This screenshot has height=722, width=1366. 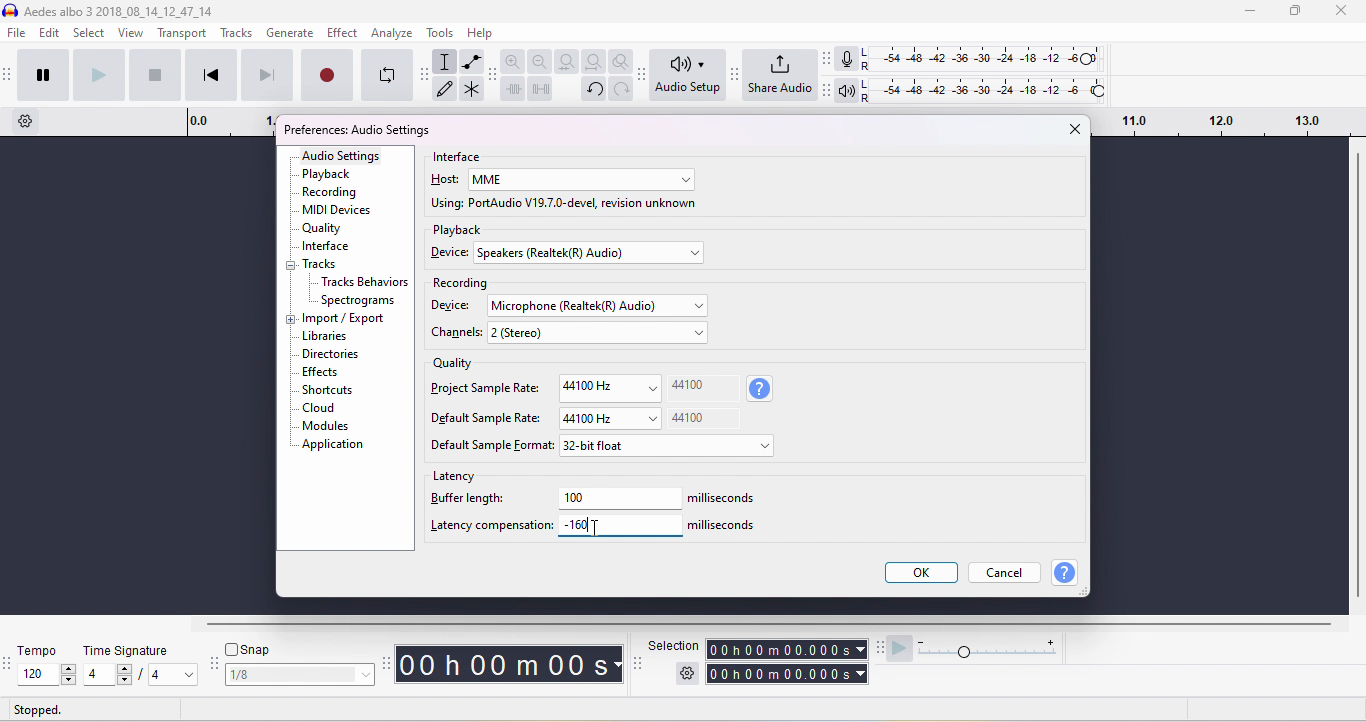 What do you see at coordinates (449, 252) in the screenshot?
I see `device` at bounding box center [449, 252].